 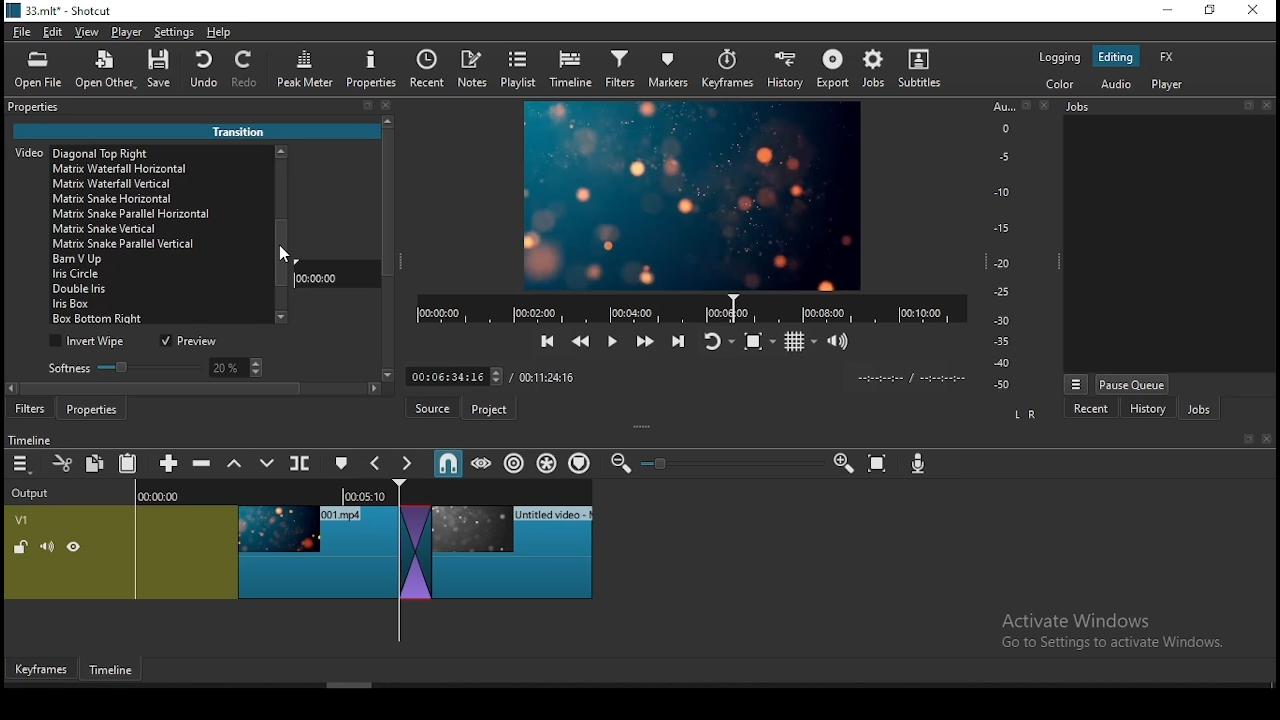 What do you see at coordinates (643, 342) in the screenshot?
I see `play quickly forward` at bounding box center [643, 342].